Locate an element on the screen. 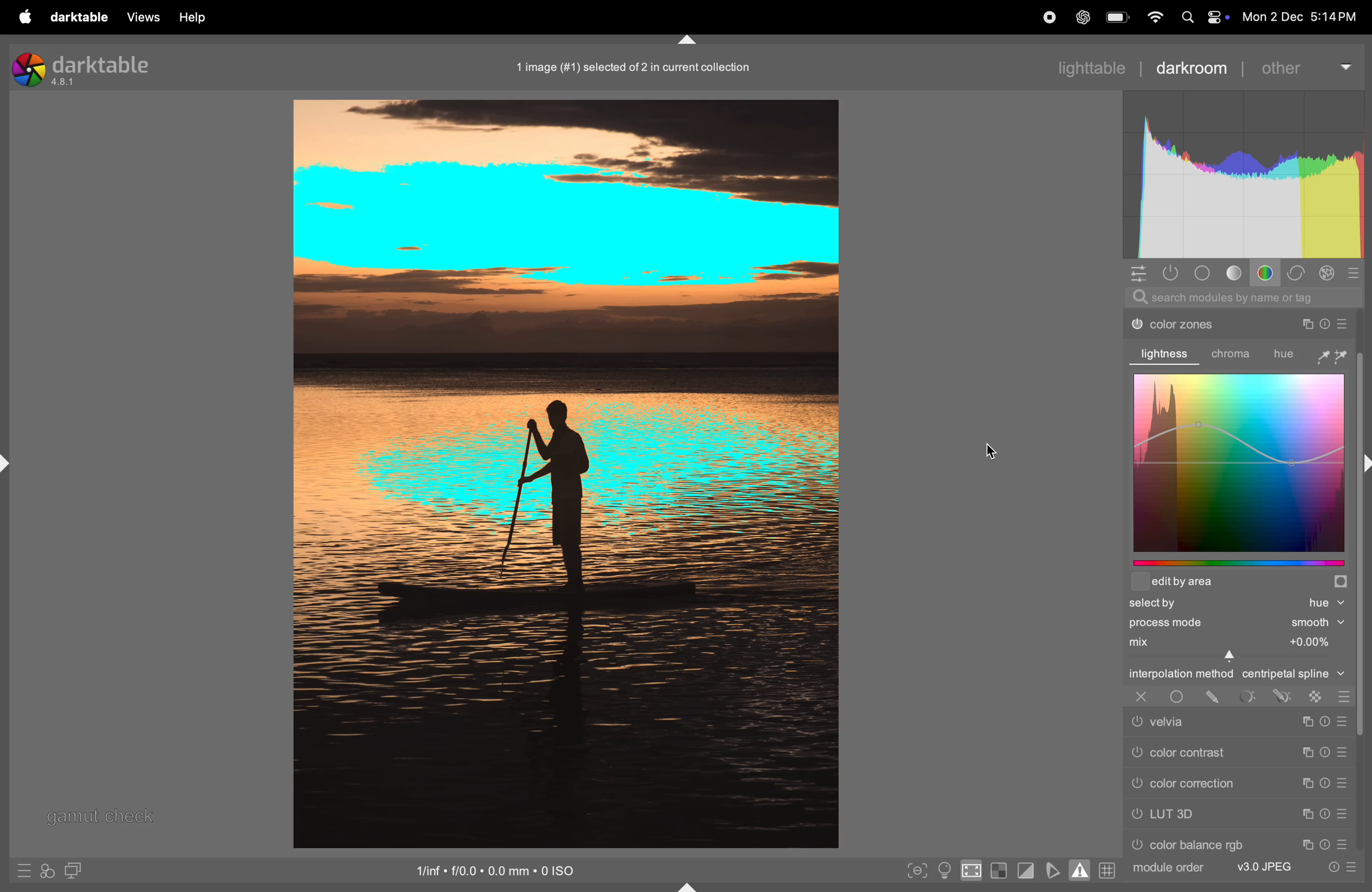   is located at coordinates (1212, 697).